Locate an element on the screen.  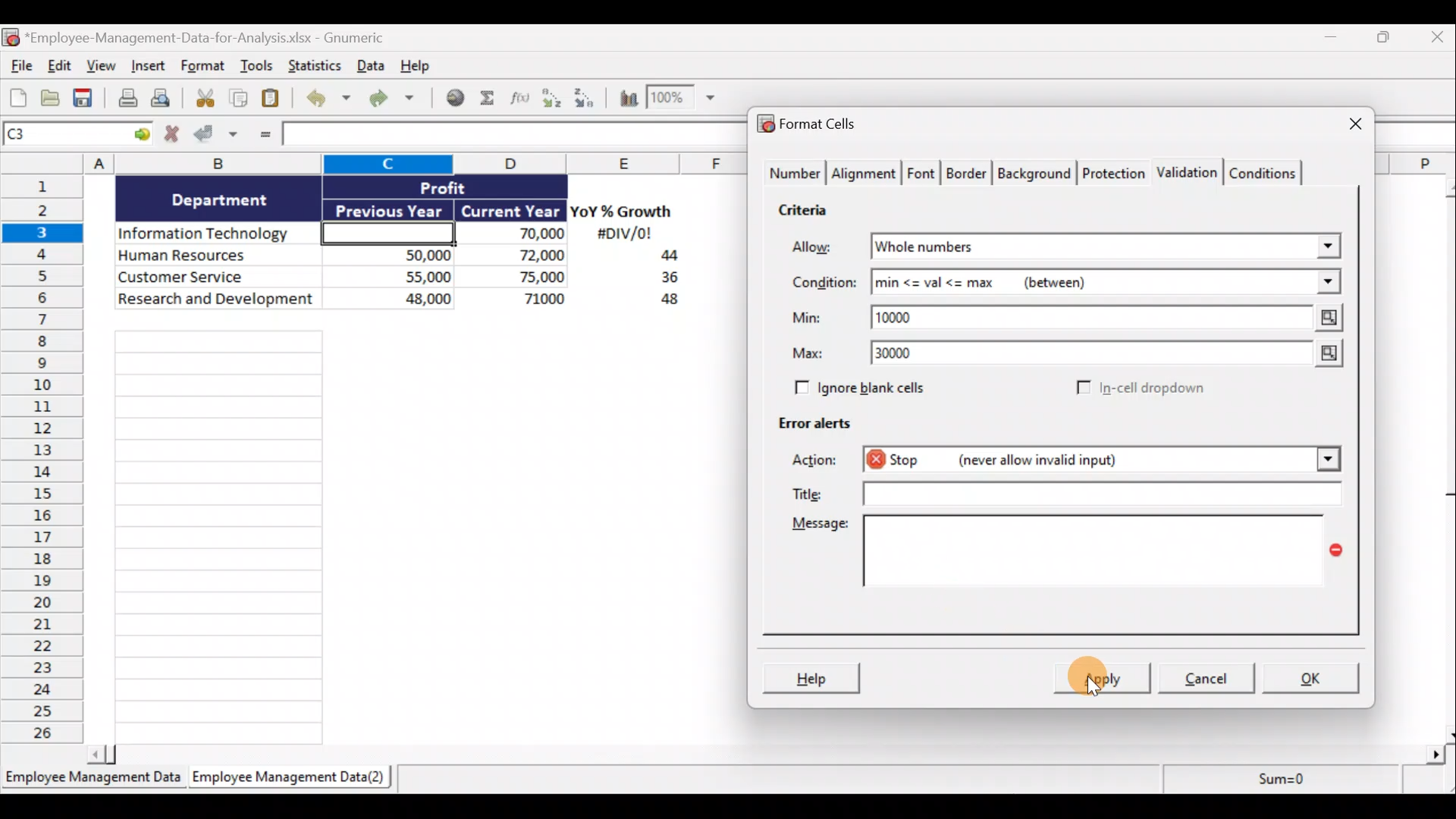
Min: is located at coordinates (807, 320).